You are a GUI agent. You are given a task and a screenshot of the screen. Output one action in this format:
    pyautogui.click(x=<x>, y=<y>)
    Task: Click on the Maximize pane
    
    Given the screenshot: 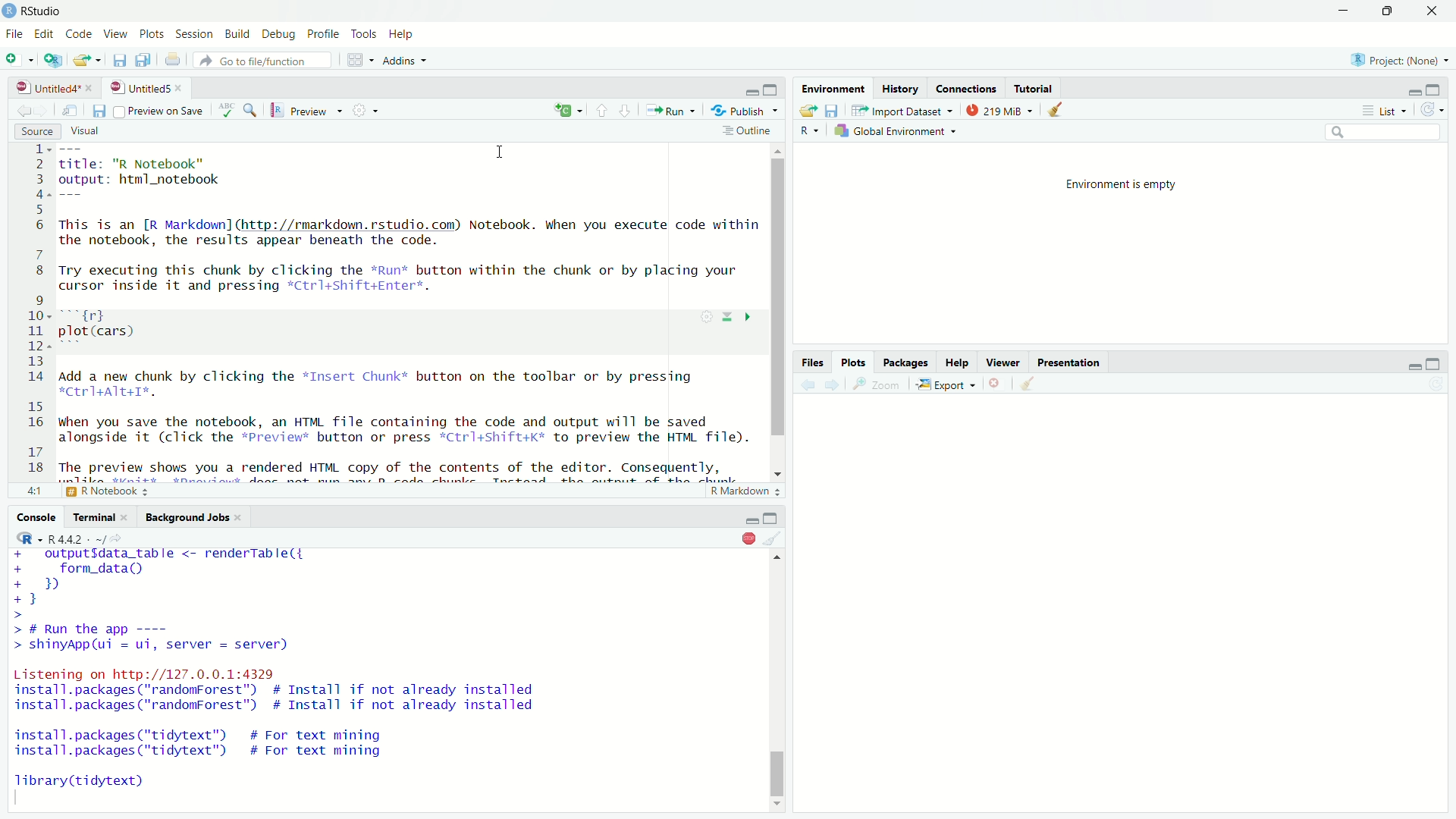 What is the action you would take?
    pyautogui.click(x=1436, y=87)
    